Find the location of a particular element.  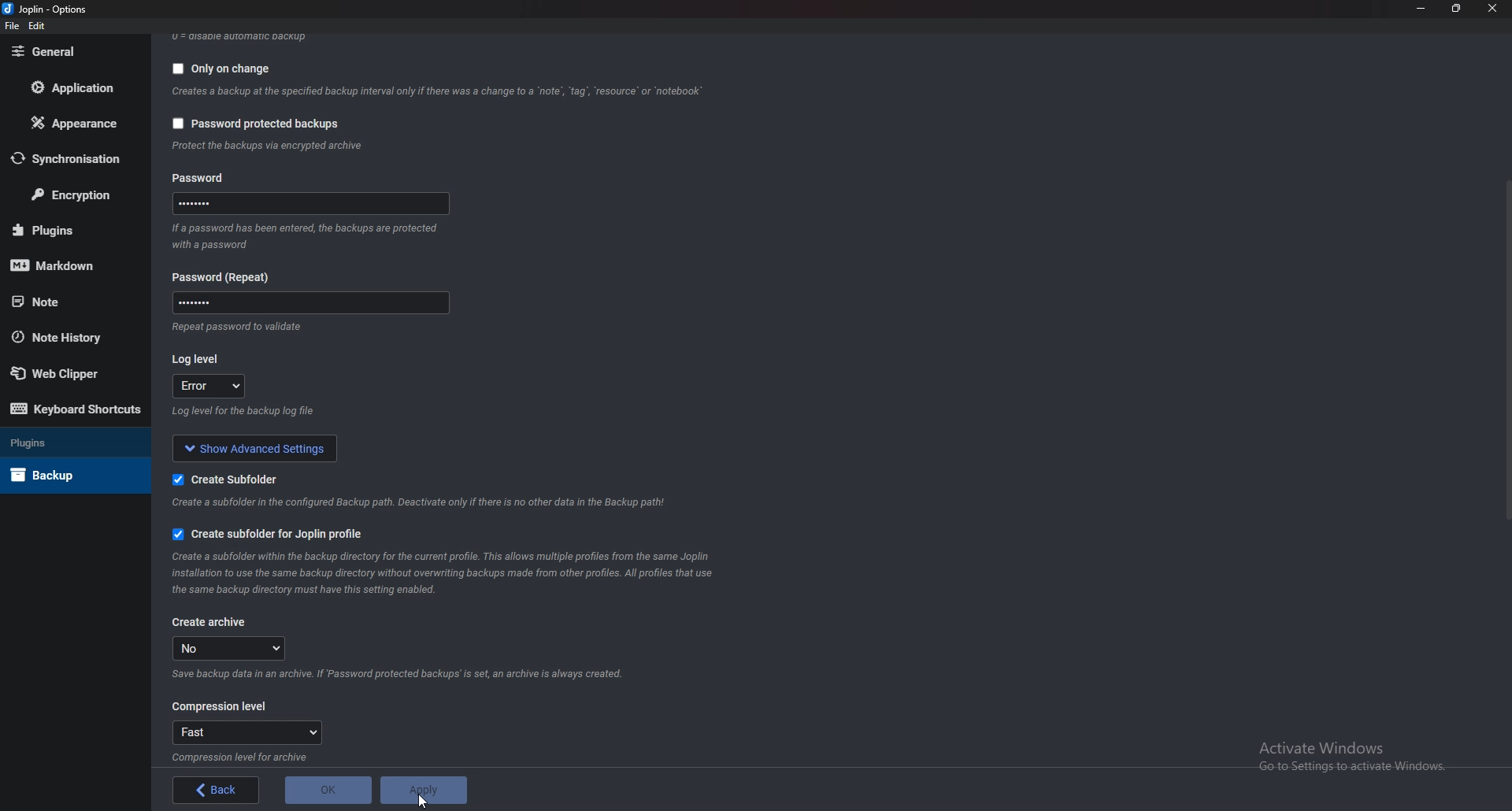

scroll bar is located at coordinates (1506, 352).